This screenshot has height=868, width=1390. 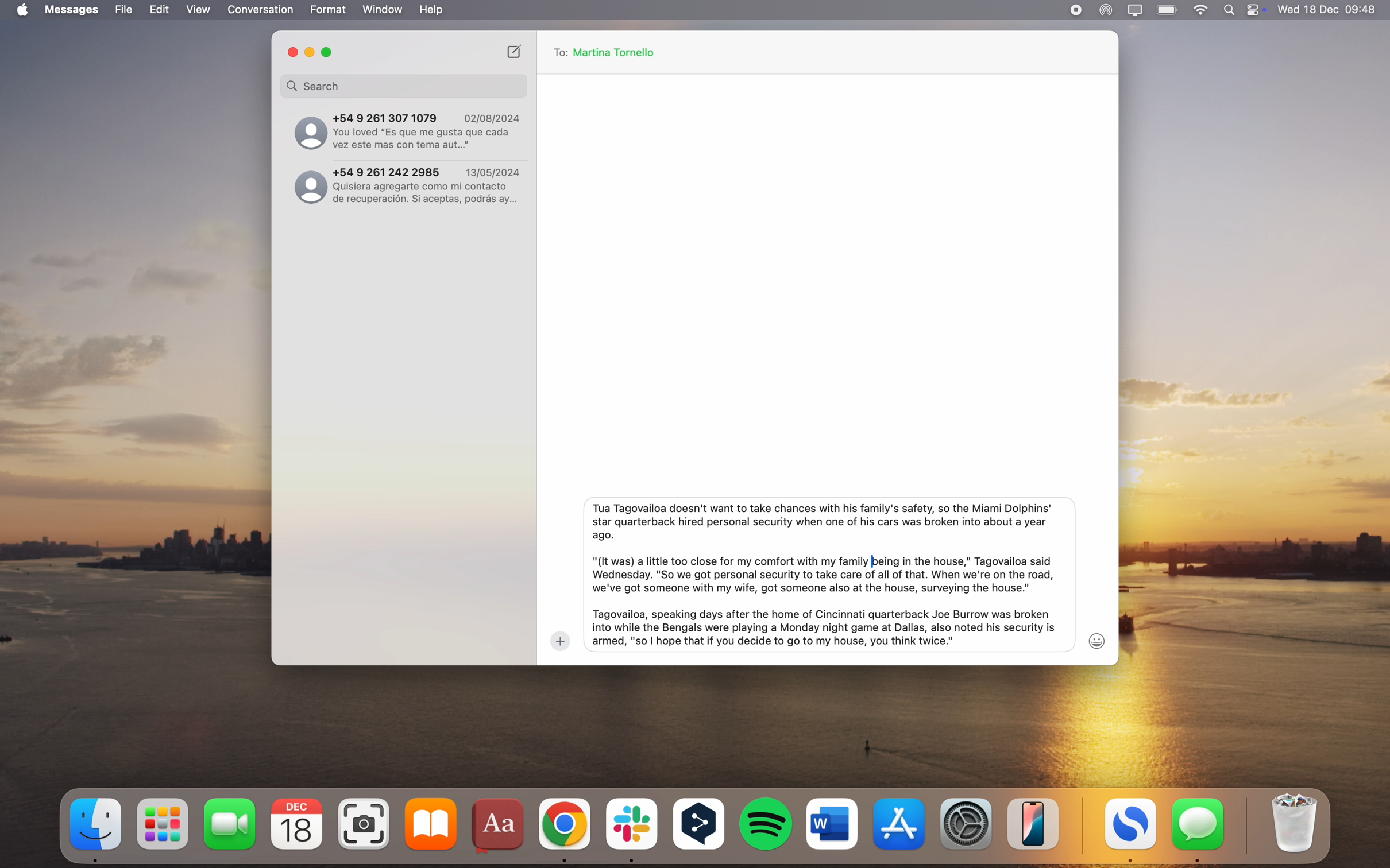 I want to click on maximize app, so click(x=329, y=52).